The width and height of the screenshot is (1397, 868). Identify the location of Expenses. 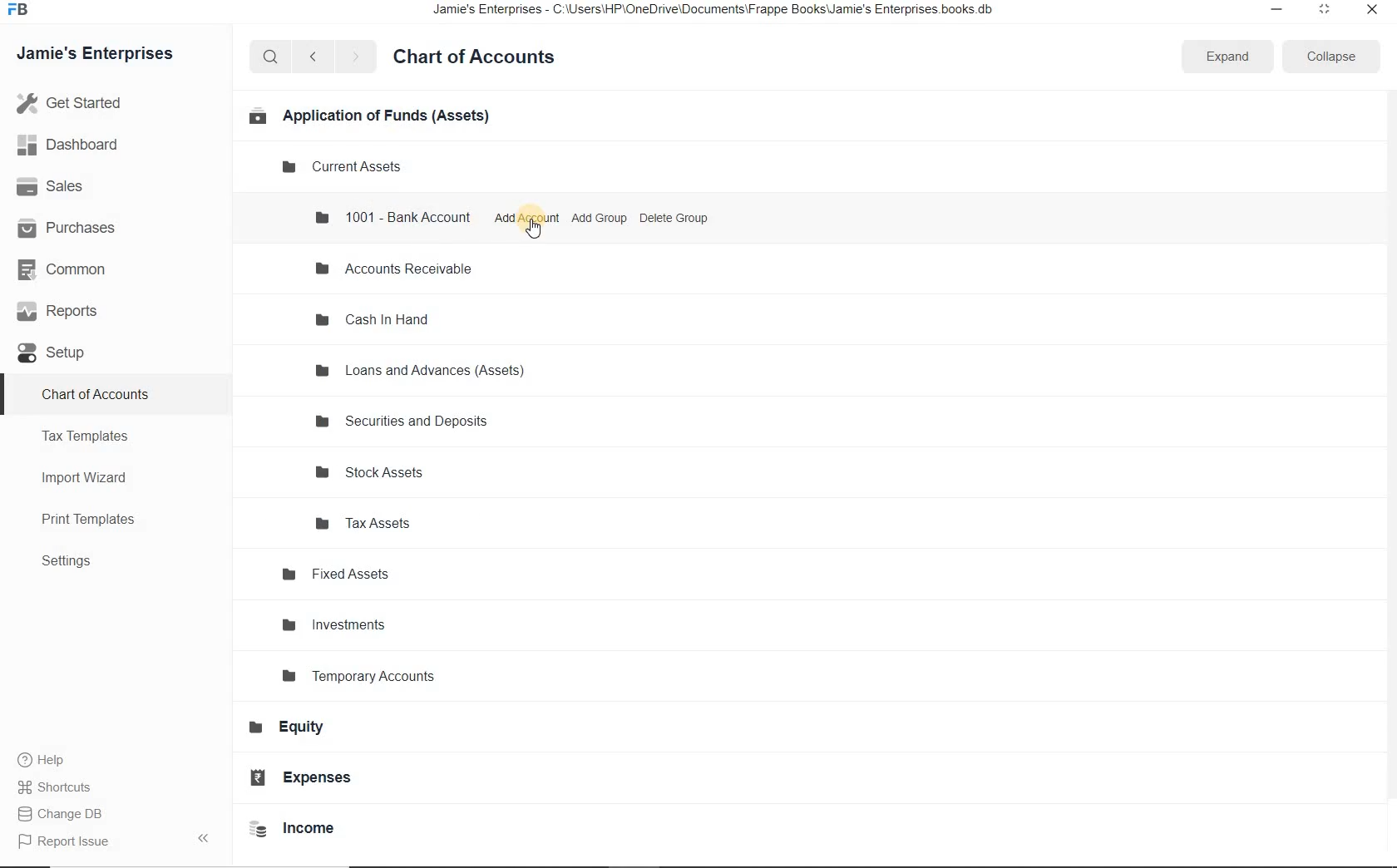
(309, 777).